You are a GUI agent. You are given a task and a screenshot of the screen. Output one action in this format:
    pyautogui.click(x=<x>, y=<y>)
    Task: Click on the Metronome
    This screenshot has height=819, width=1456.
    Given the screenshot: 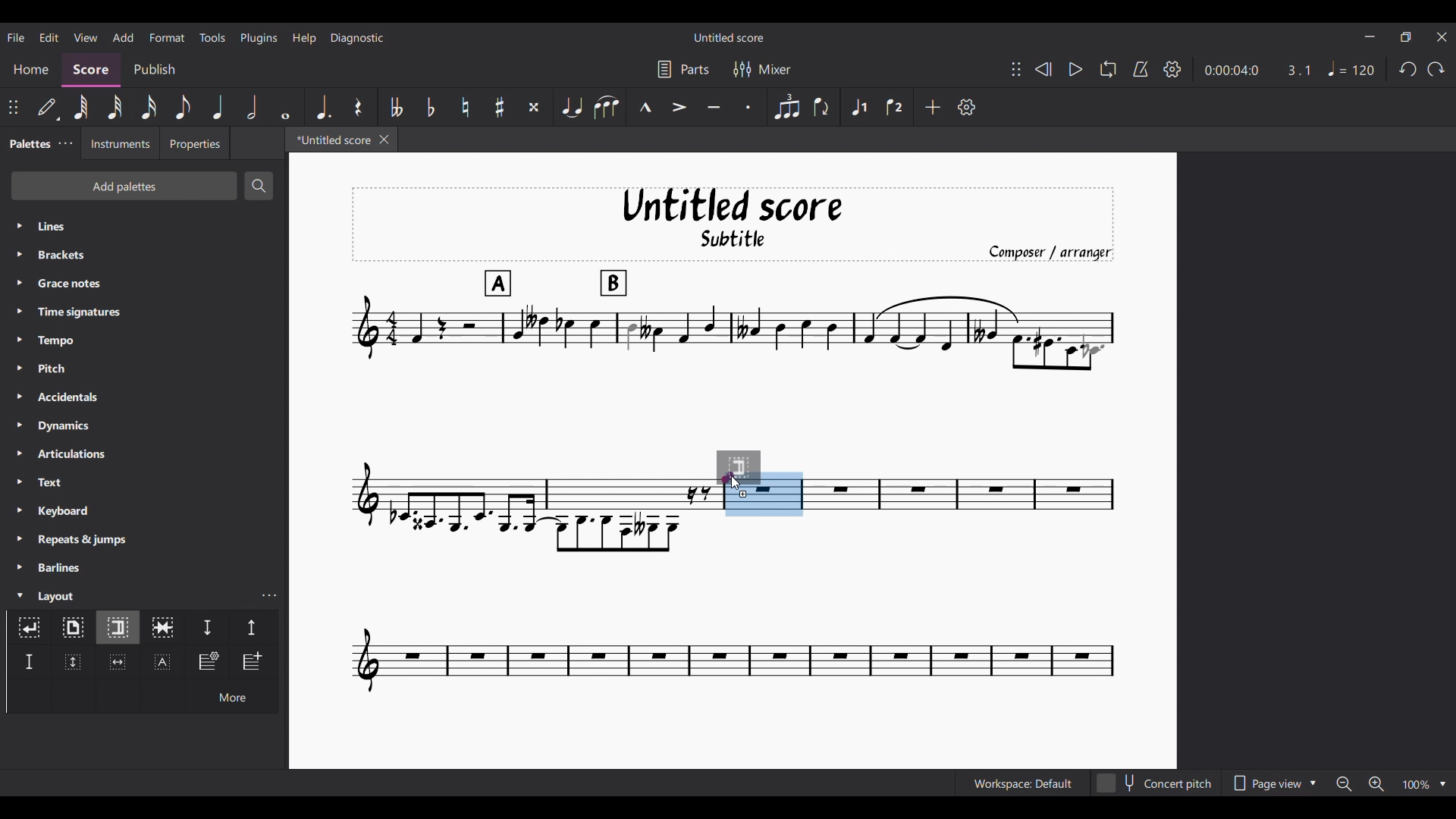 What is the action you would take?
    pyautogui.click(x=1141, y=69)
    